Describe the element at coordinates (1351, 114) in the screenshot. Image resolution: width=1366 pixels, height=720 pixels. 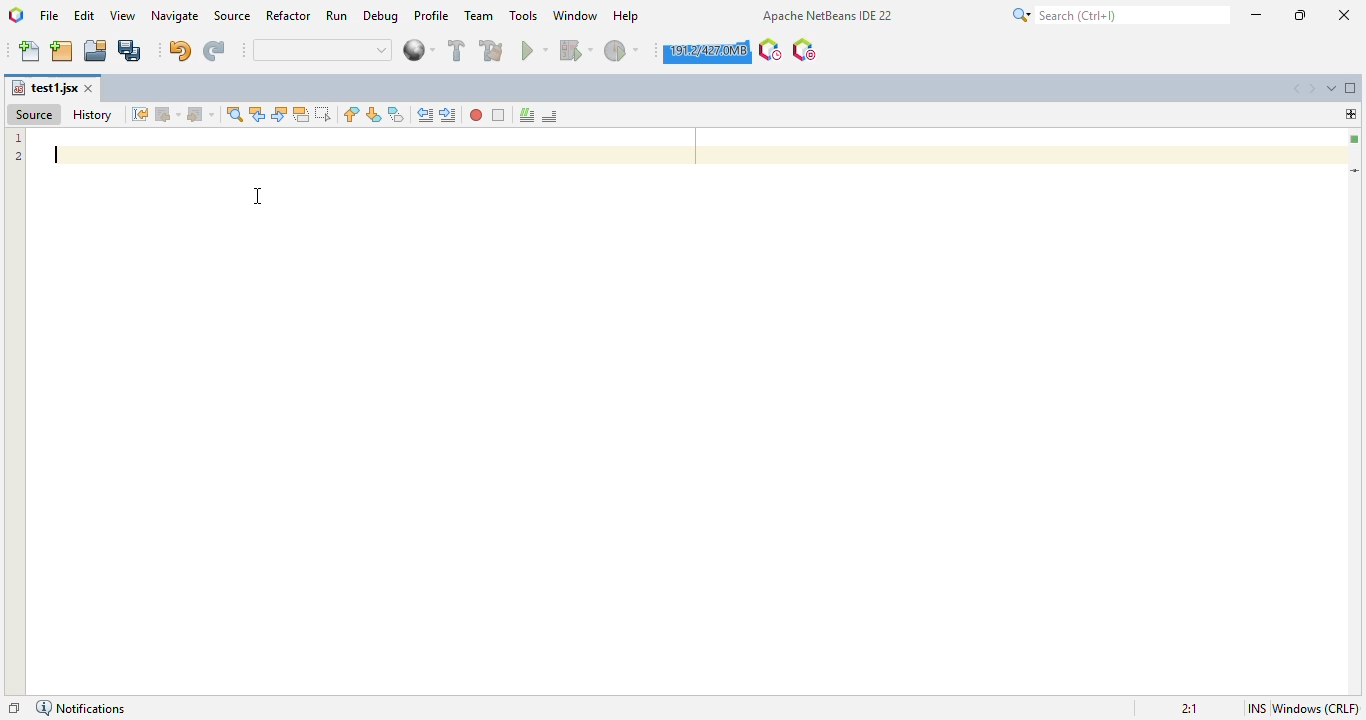
I see `drag me to split this window horizontally or vertically` at that location.